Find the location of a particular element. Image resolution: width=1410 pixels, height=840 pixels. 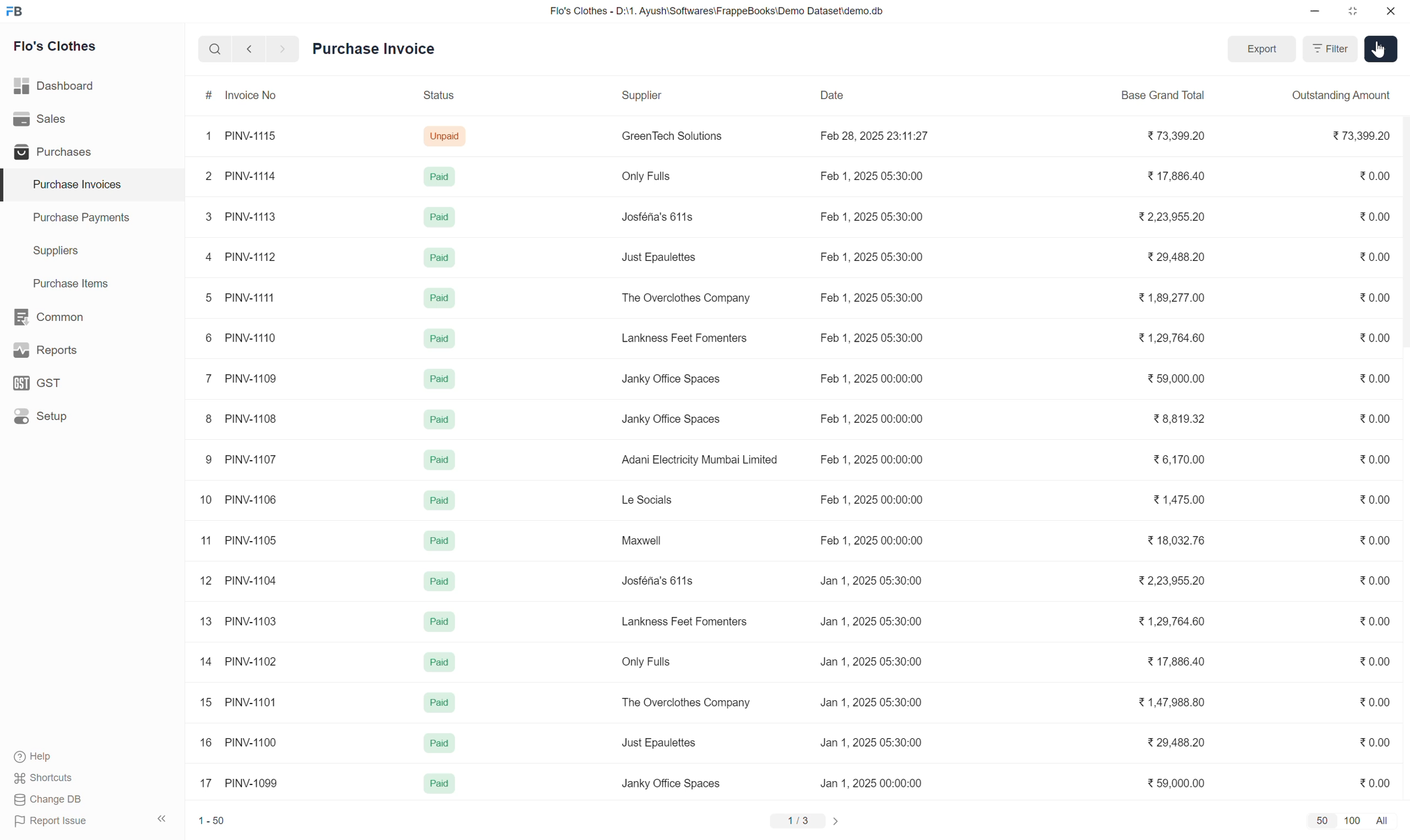

Jan 1, 2025 05:30:00 is located at coordinates (876, 619).